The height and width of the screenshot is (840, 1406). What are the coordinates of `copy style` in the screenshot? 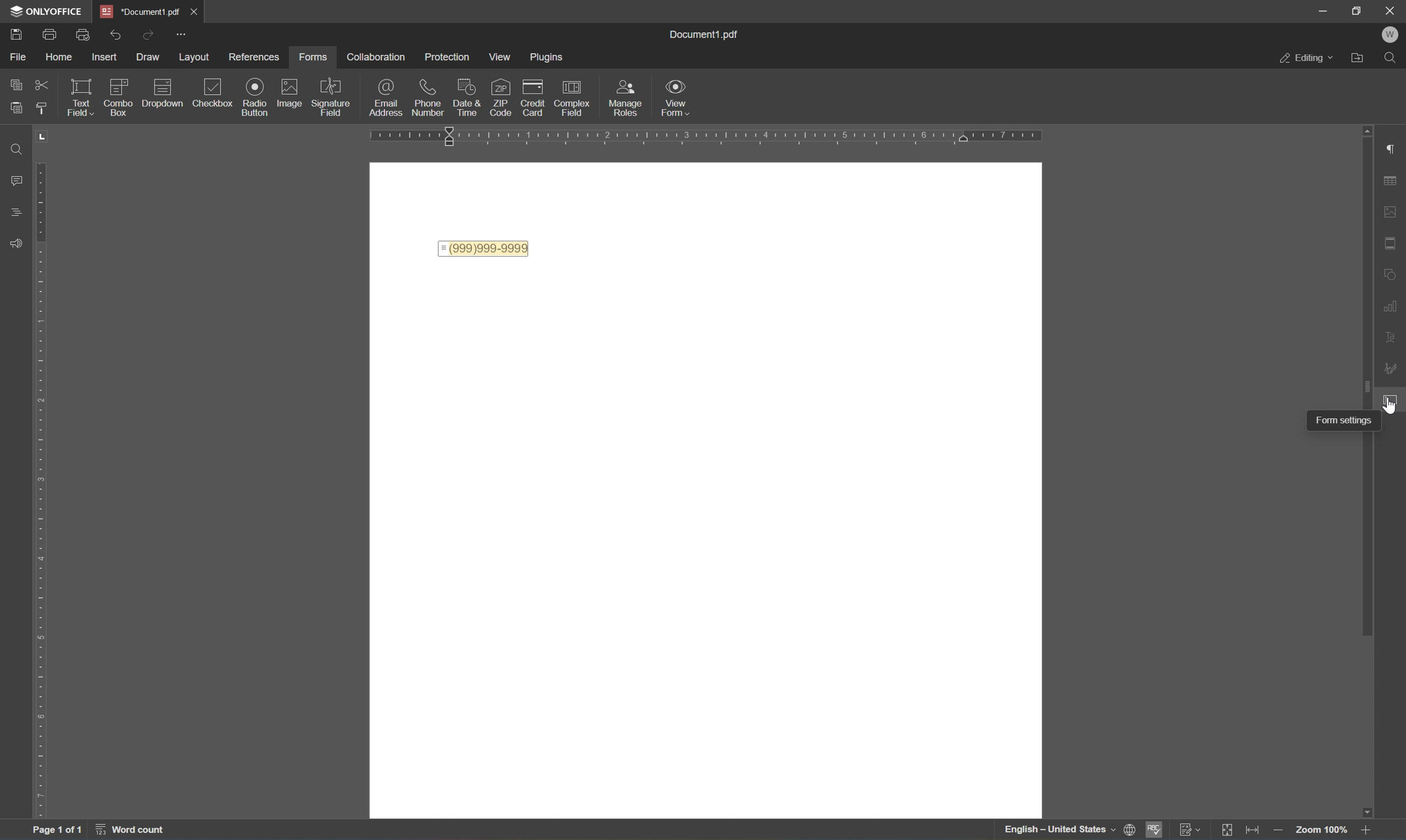 It's located at (43, 106).